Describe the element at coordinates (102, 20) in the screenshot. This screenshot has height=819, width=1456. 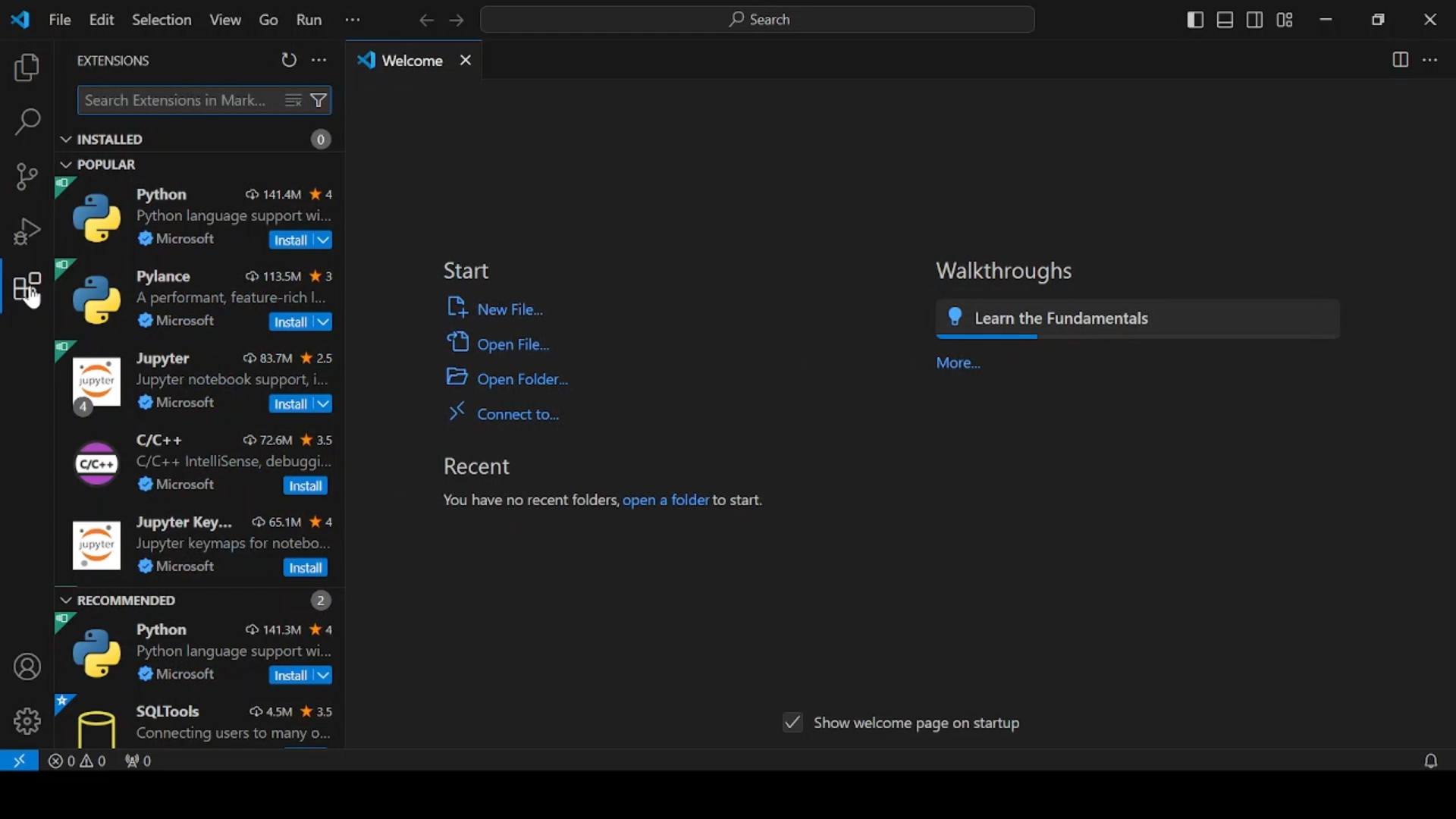
I see `edit` at that location.